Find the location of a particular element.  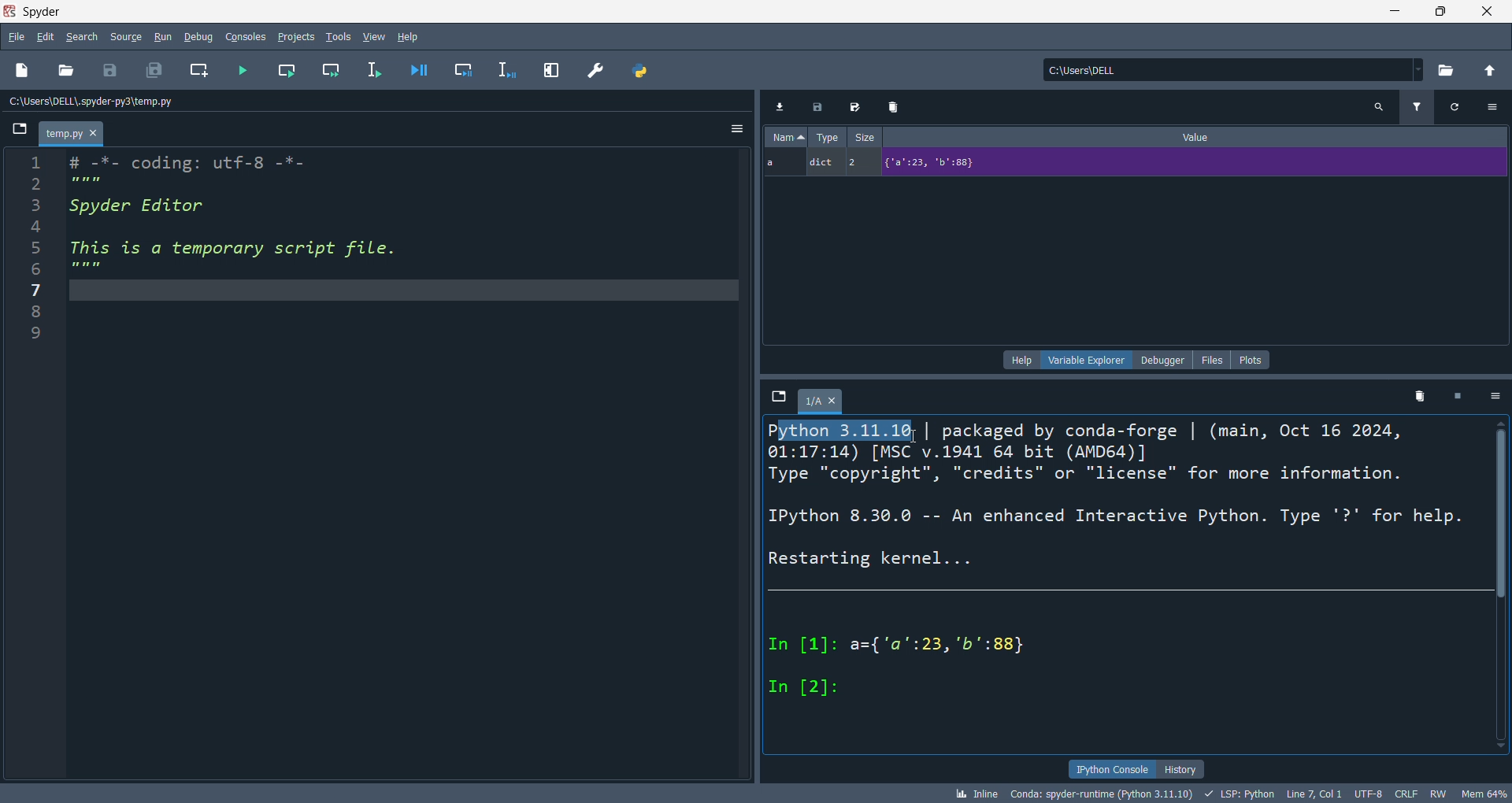

search is located at coordinates (1381, 107).